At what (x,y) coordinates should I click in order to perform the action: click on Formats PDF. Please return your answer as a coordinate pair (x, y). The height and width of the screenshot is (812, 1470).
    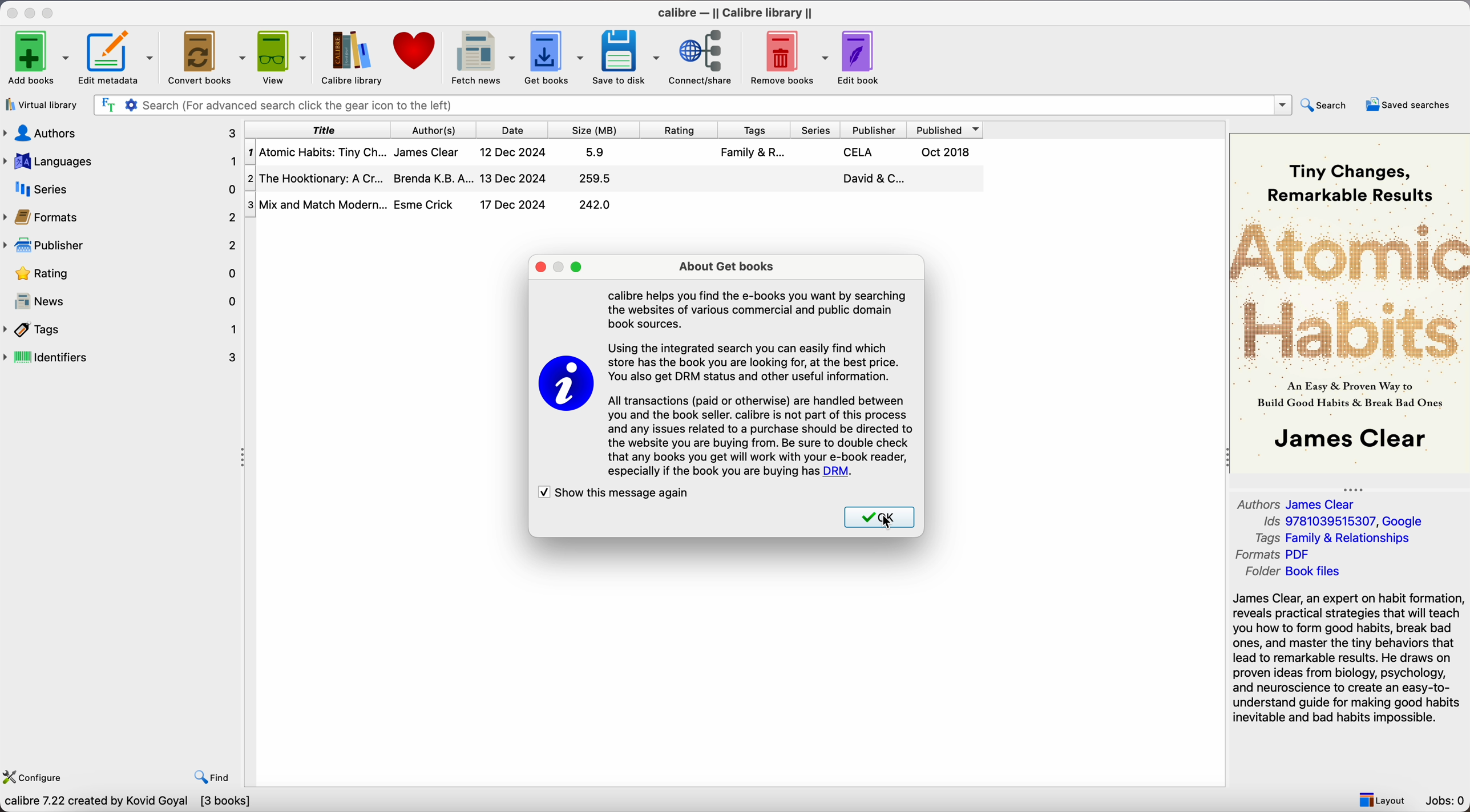
    Looking at the image, I should click on (1283, 555).